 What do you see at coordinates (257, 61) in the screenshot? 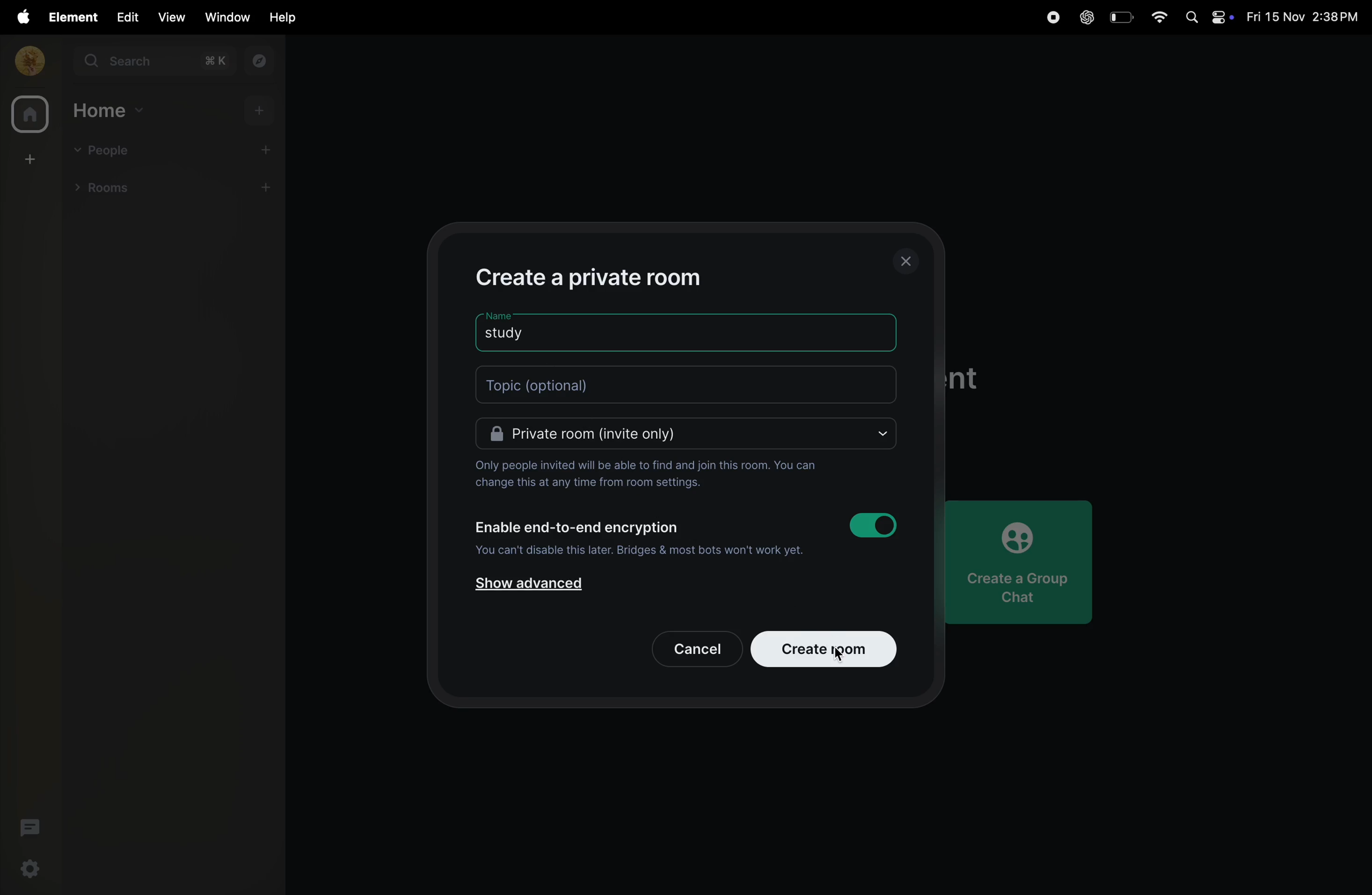
I see `explore` at bounding box center [257, 61].